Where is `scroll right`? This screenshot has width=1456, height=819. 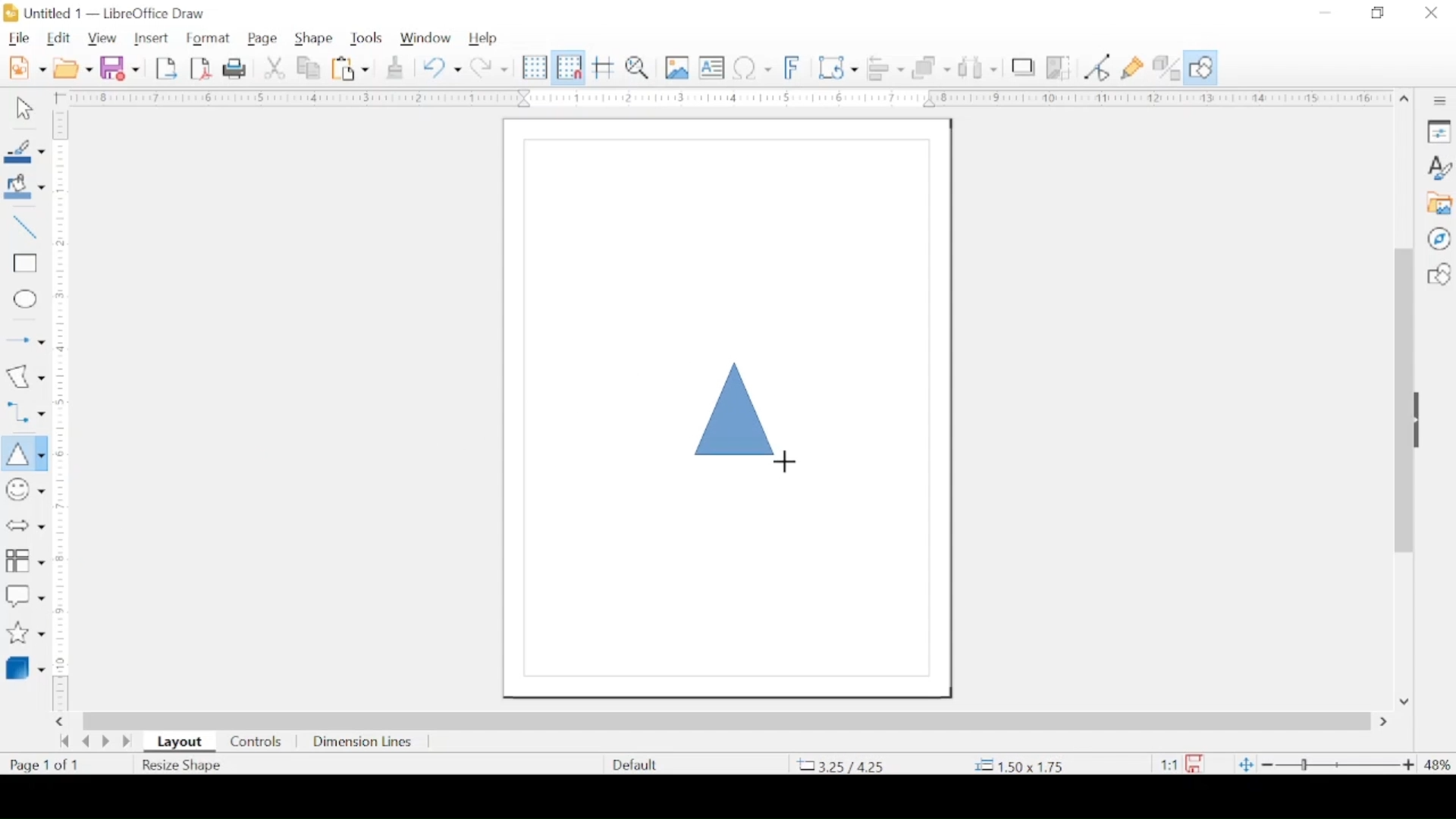 scroll right is located at coordinates (62, 721).